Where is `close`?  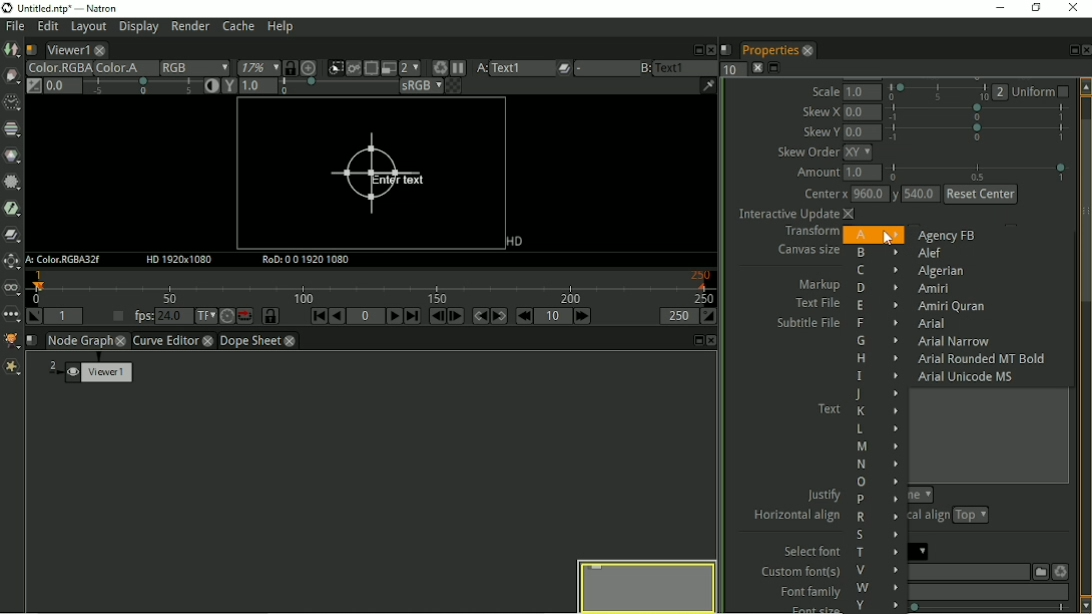
close is located at coordinates (101, 50).